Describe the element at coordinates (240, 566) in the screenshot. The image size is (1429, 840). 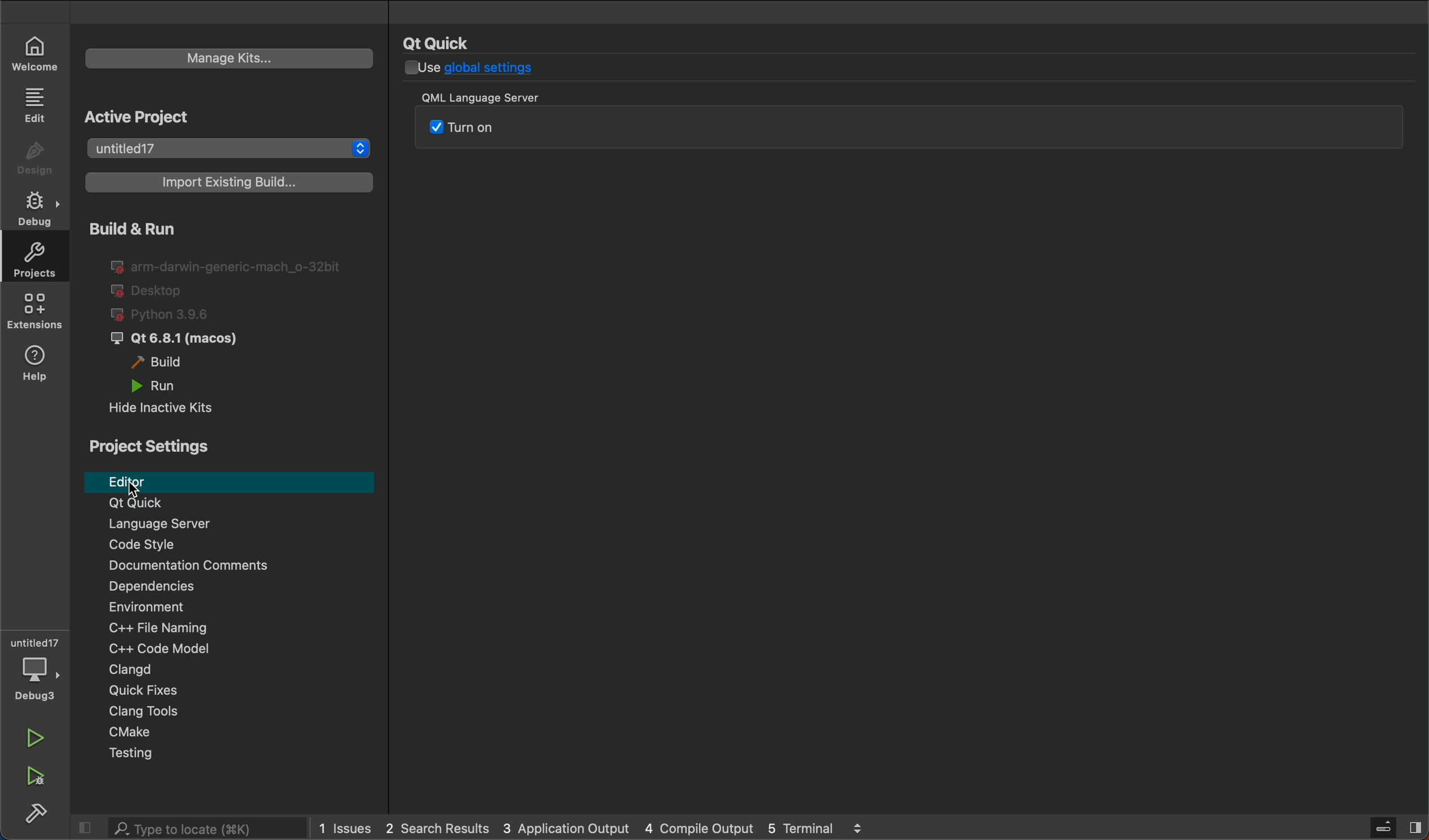
I see `comments` at that location.